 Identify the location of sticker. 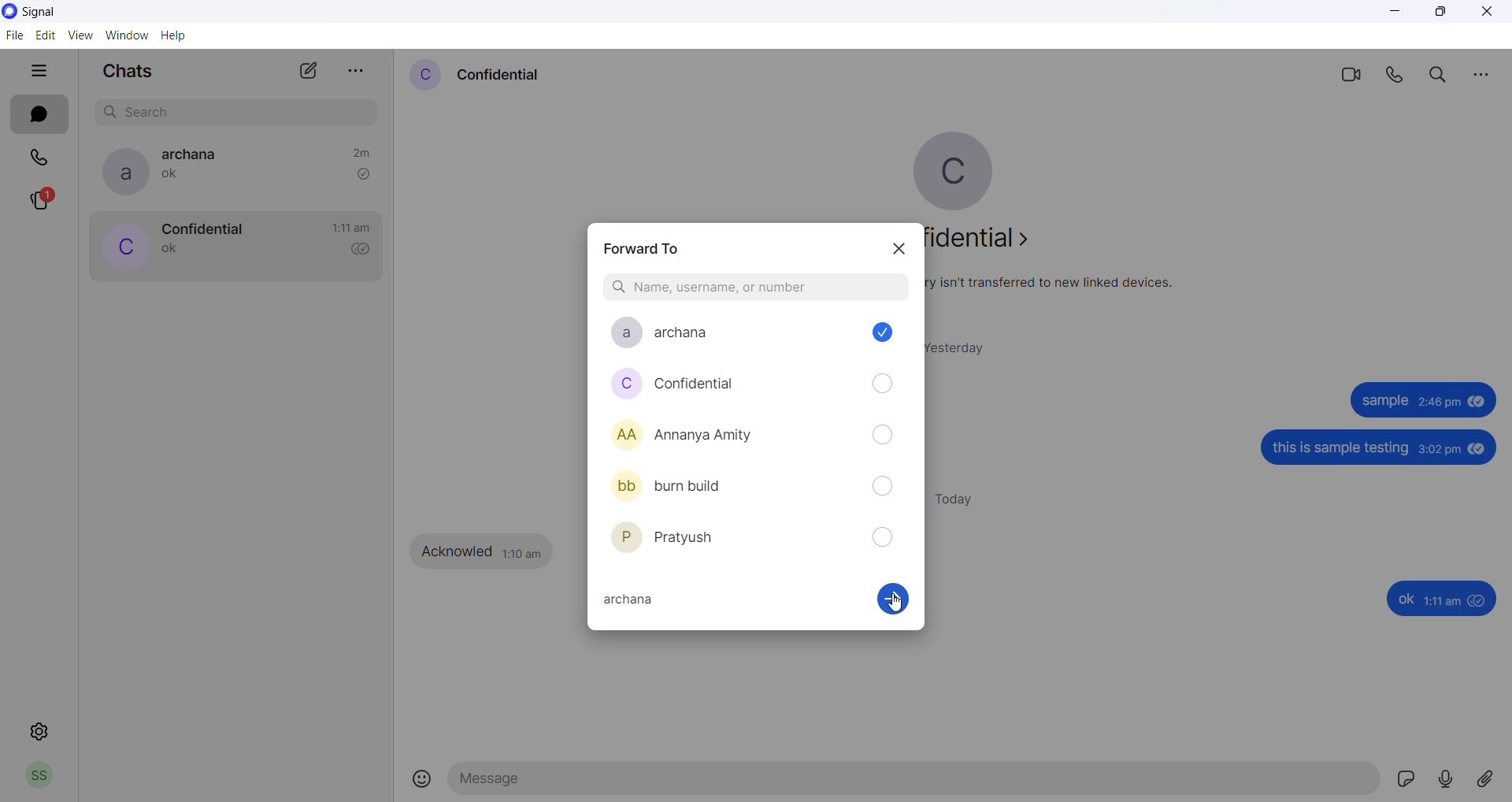
(1410, 782).